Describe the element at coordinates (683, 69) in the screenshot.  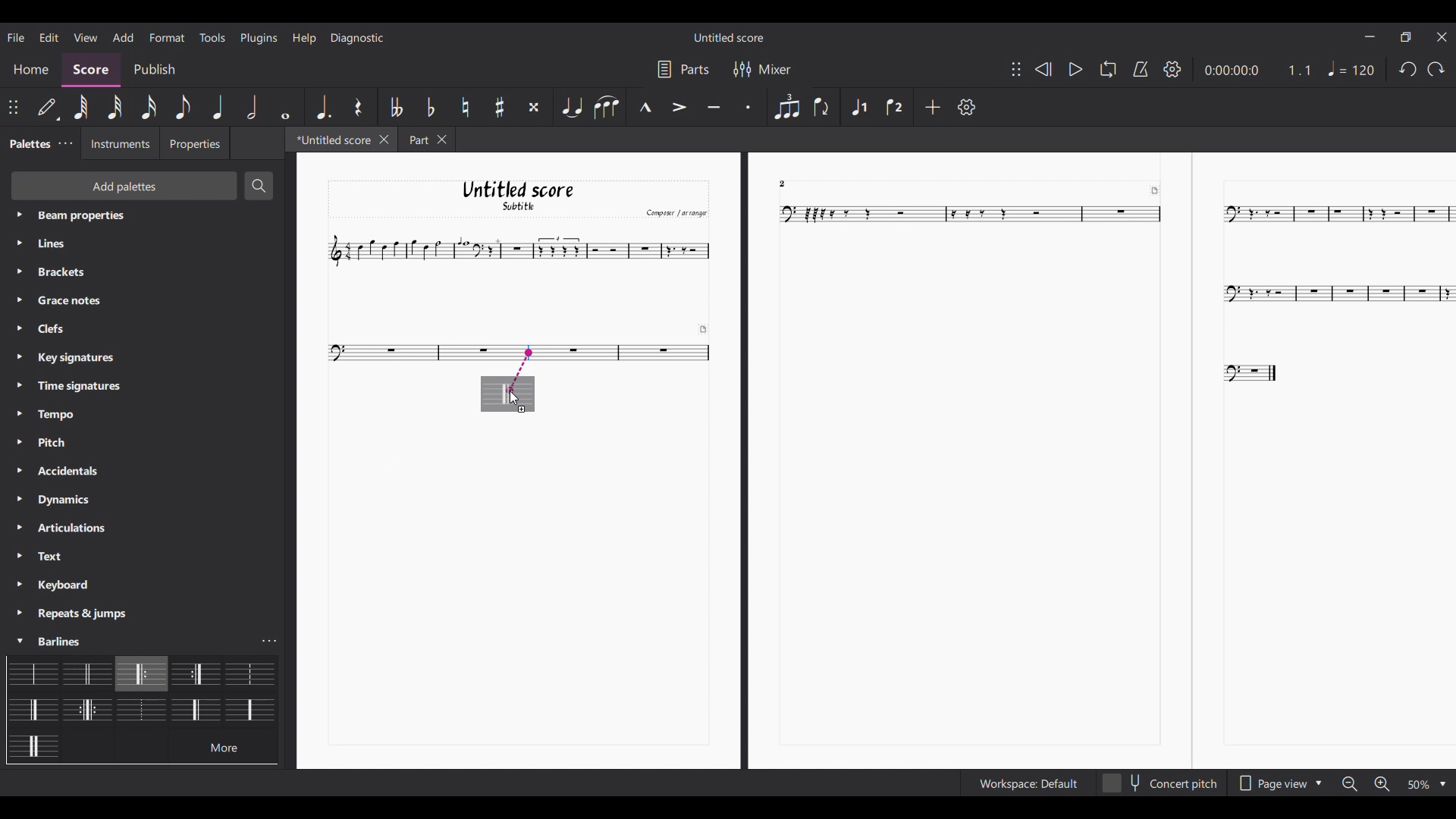
I see `Parts settings` at that location.